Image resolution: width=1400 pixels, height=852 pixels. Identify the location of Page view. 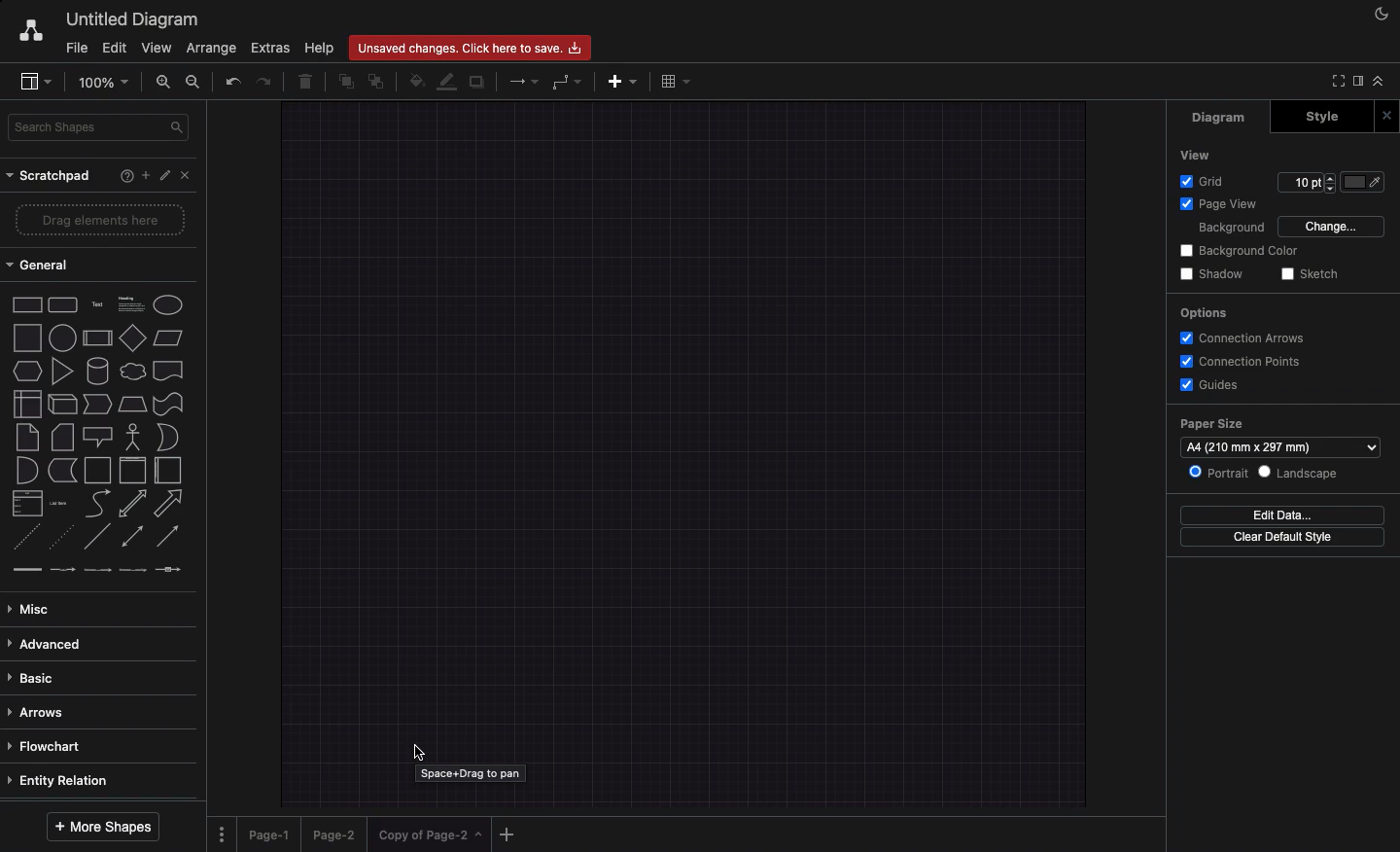
(1214, 202).